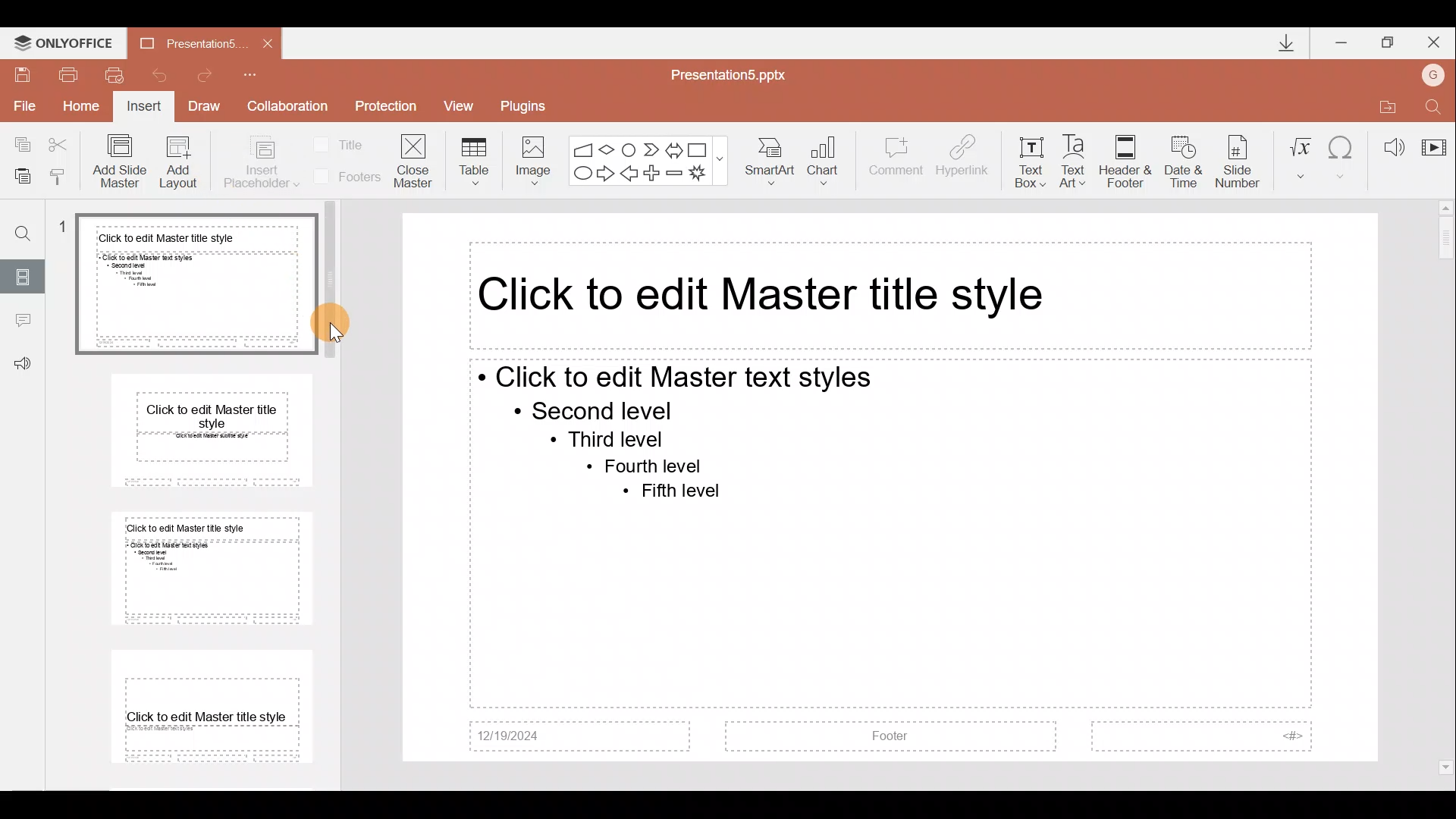  What do you see at coordinates (1384, 104) in the screenshot?
I see `Open file location` at bounding box center [1384, 104].